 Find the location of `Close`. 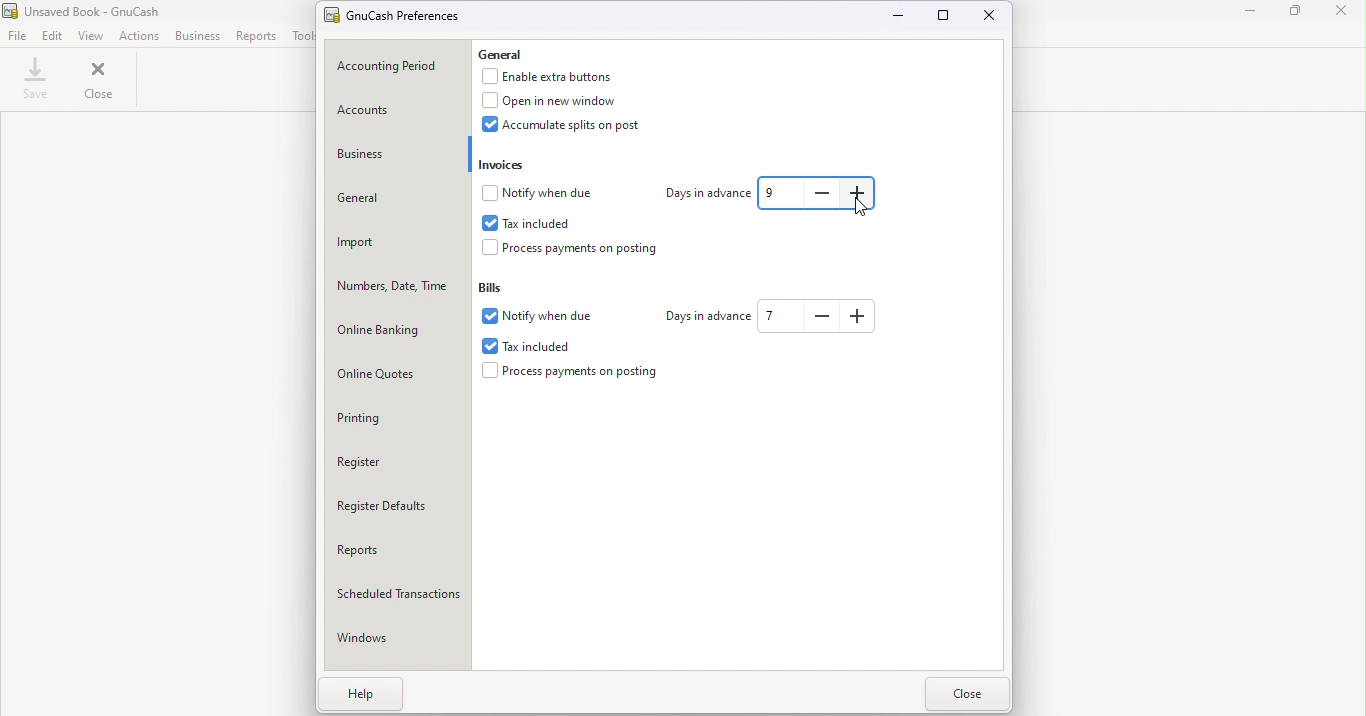

Close is located at coordinates (98, 83).